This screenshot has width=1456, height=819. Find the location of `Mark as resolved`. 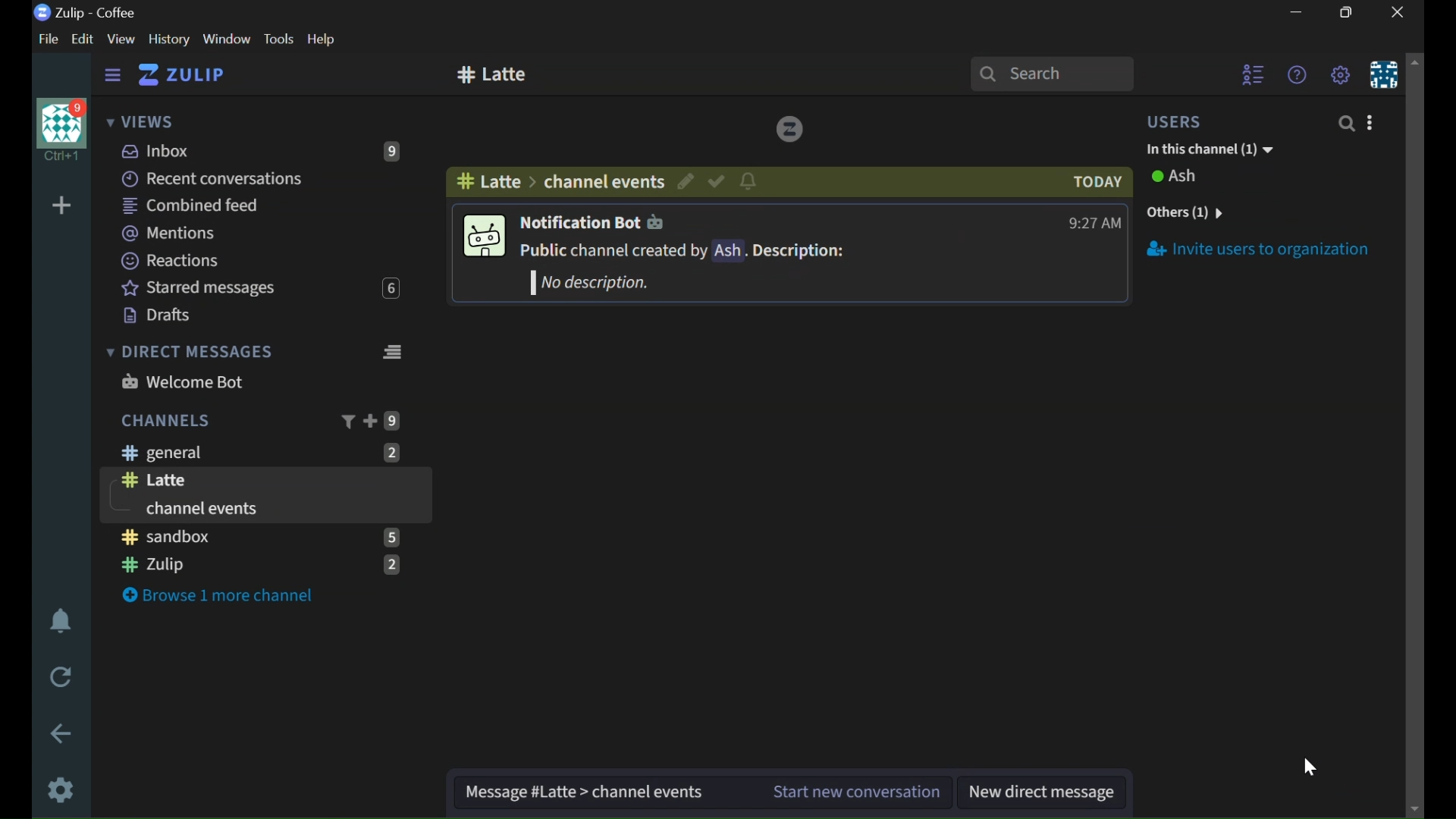

Mark as resolved is located at coordinates (716, 181).